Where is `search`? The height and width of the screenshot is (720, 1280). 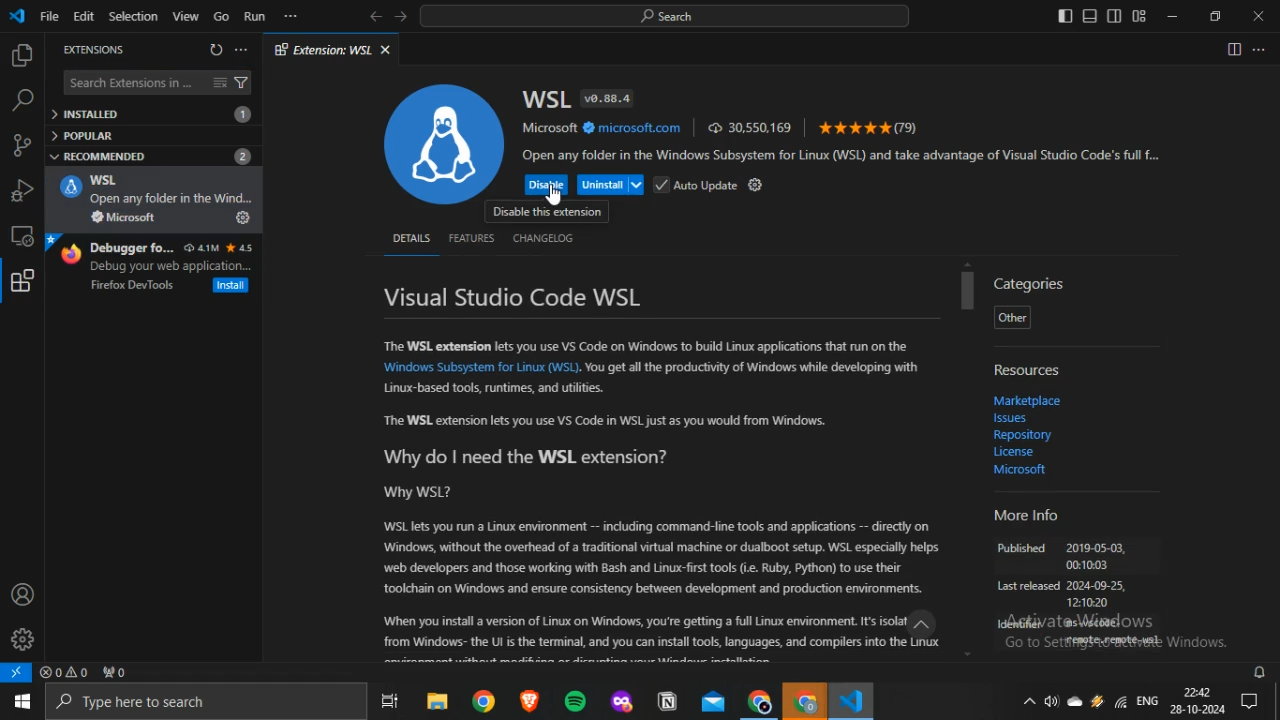
search is located at coordinates (22, 101).